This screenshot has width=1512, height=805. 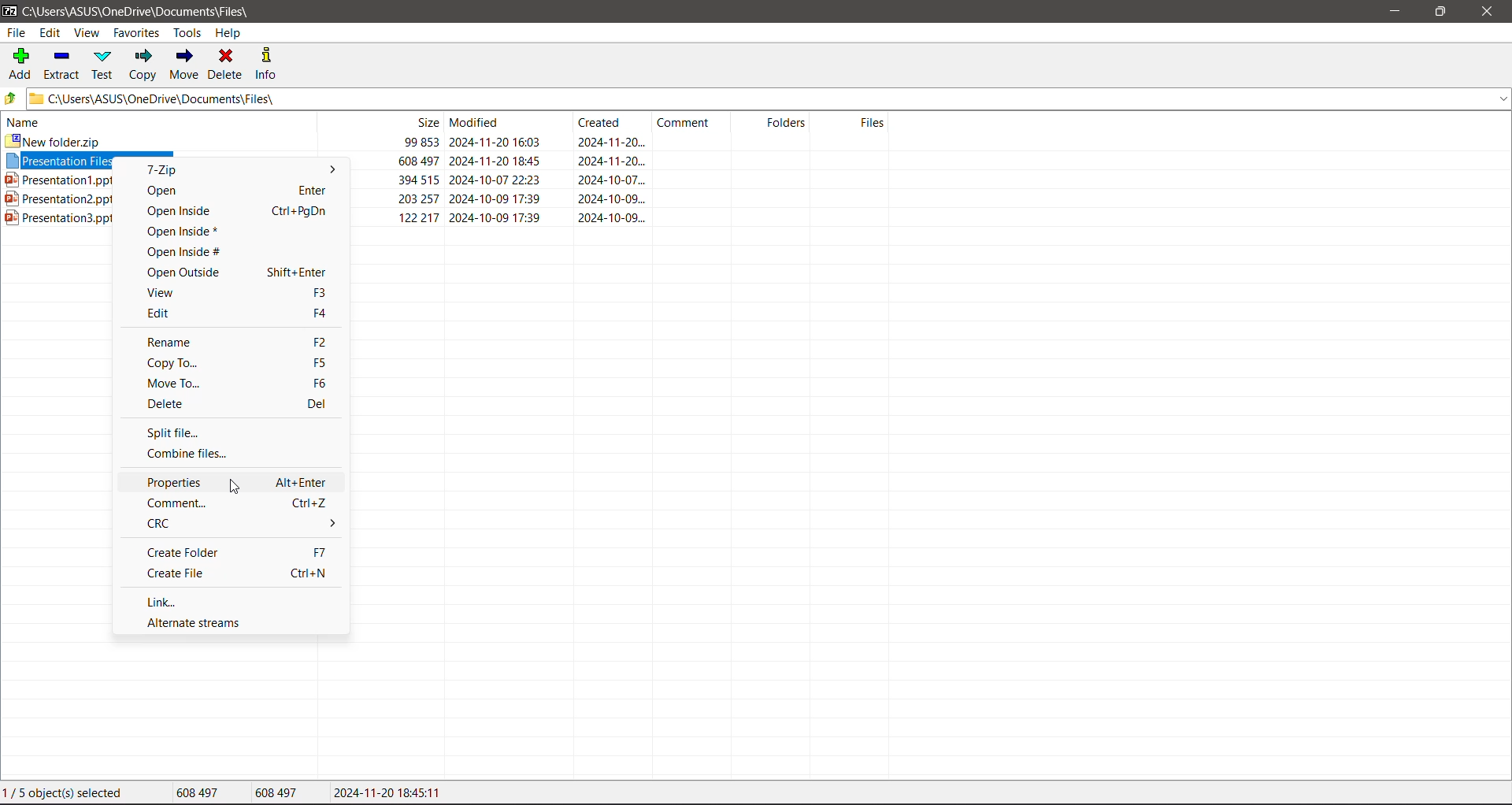 What do you see at coordinates (11, 98) in the screenshot?
I see `Move Up one level` at bounding box center [11, 98].